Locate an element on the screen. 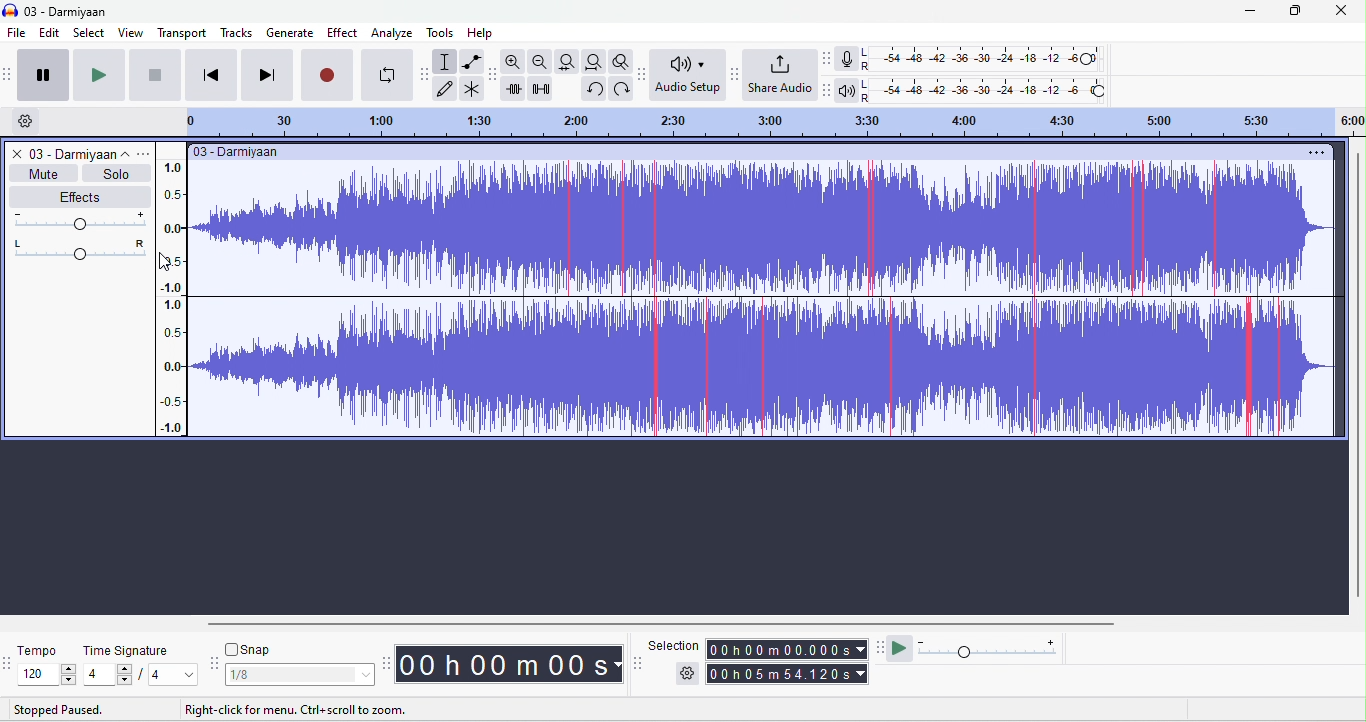  total time is located at coordinates (788, 674).